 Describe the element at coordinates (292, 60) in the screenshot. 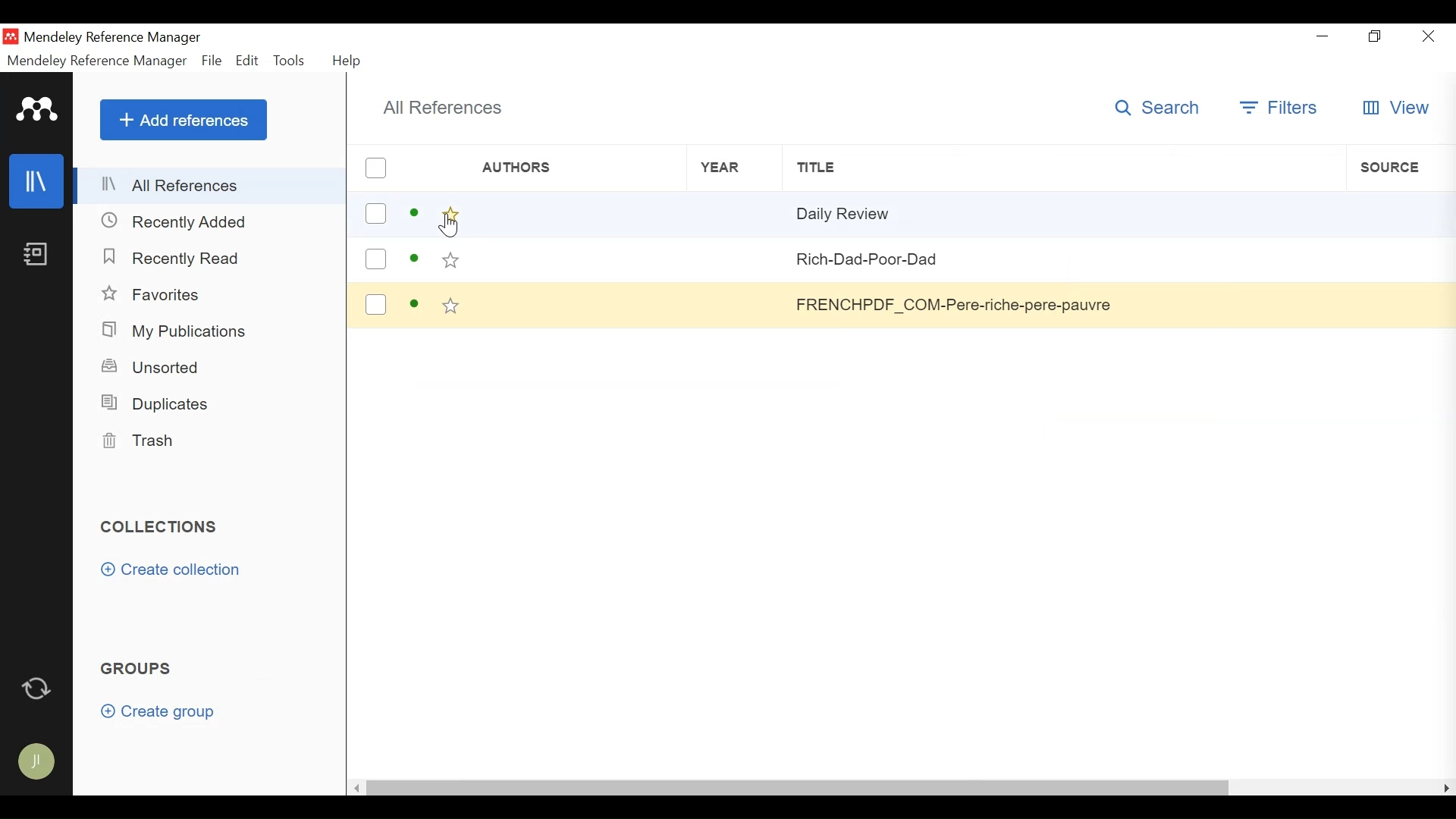

I see `Tools` at that location.